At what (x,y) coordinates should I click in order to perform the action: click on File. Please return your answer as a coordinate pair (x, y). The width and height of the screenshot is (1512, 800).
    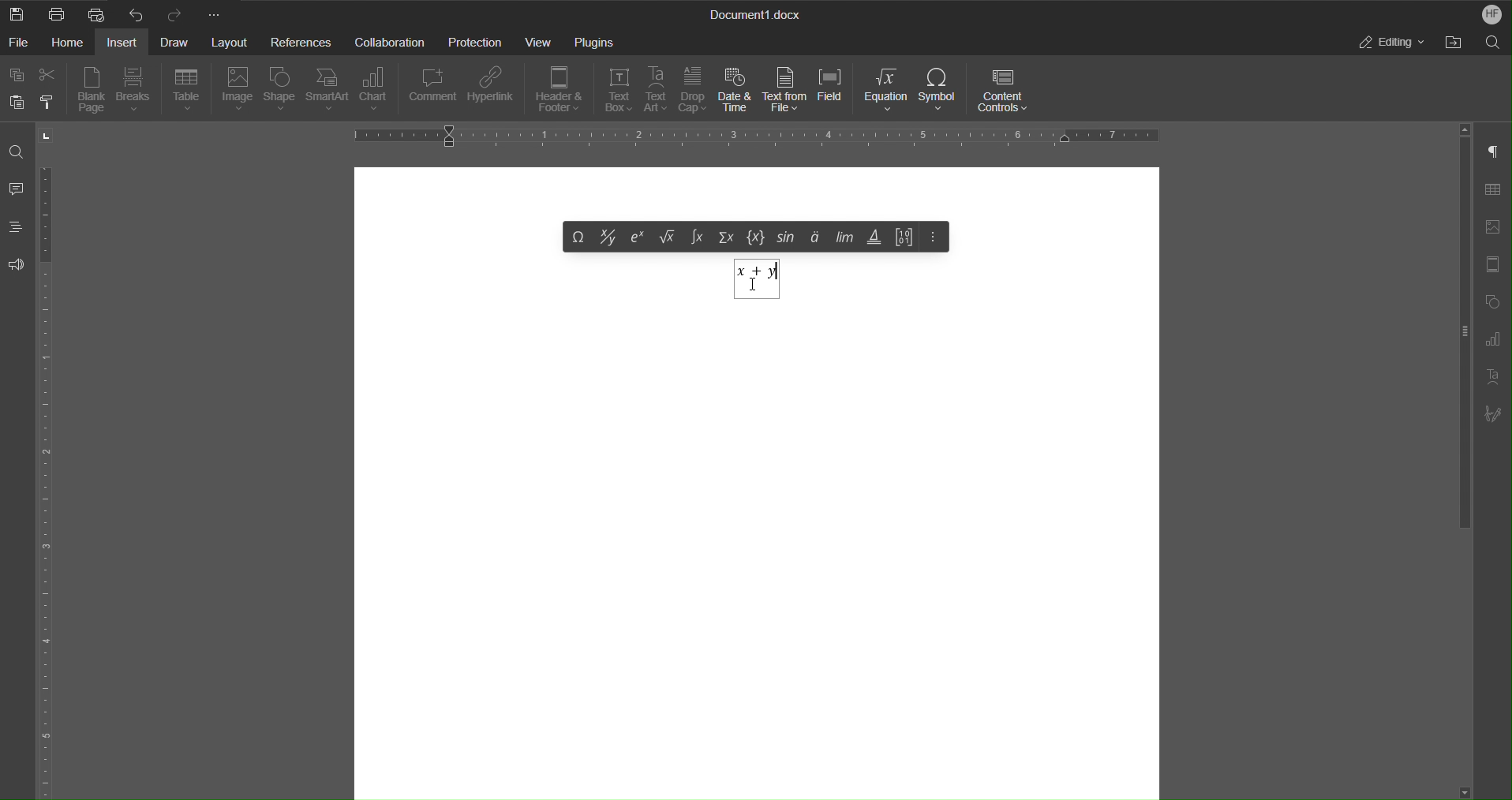
    Looking at the image, I should click on (22, 44).